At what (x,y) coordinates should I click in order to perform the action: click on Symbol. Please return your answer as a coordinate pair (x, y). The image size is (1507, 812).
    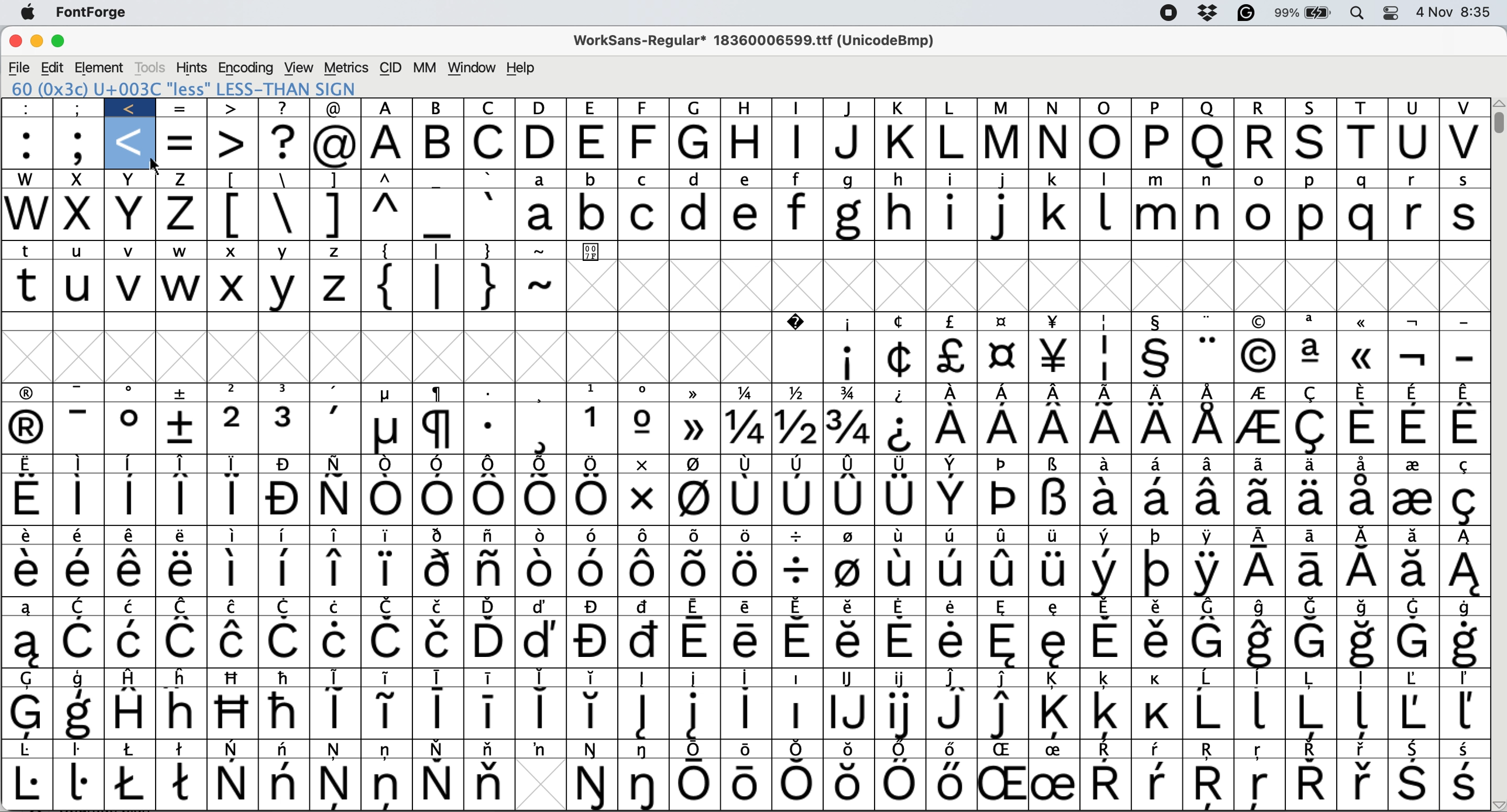
    Looking at the image, I should click on (234, 784).